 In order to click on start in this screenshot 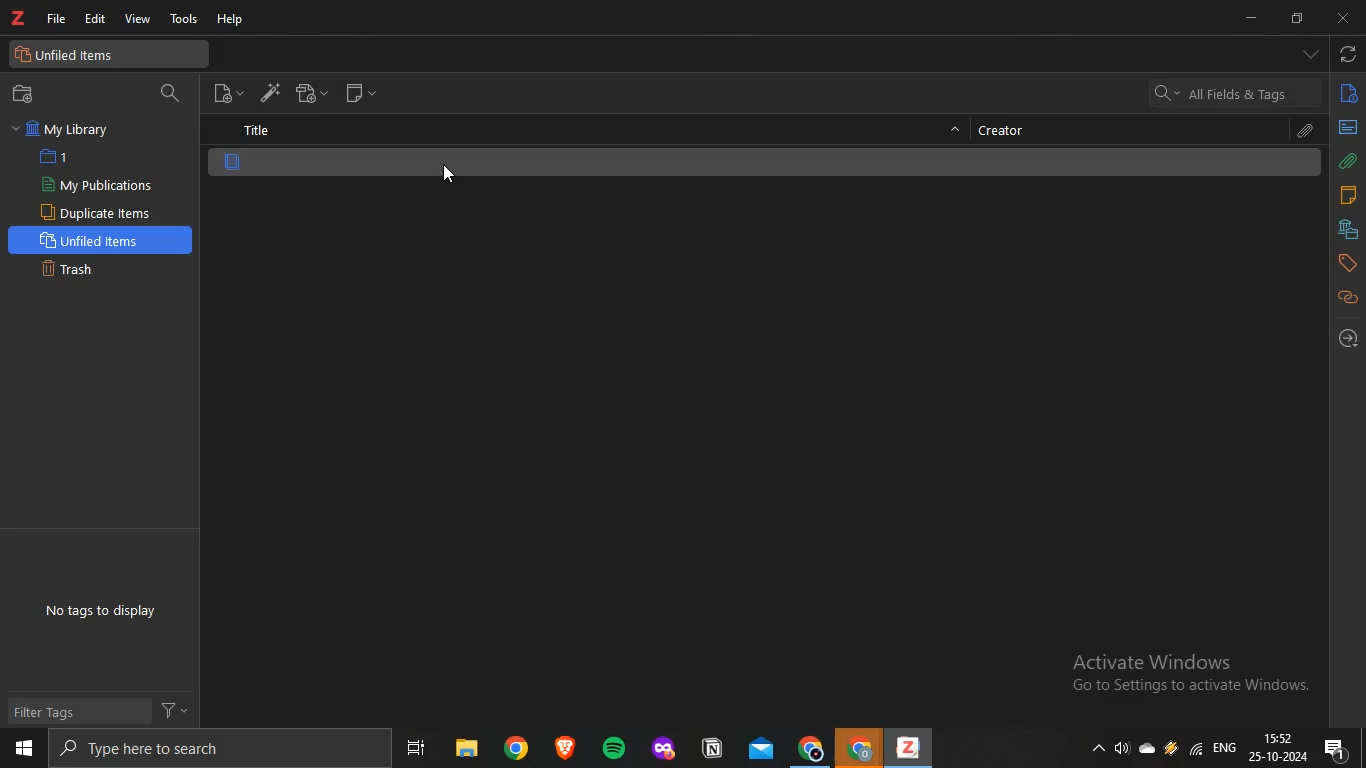, I will do `click(24, 750)`.